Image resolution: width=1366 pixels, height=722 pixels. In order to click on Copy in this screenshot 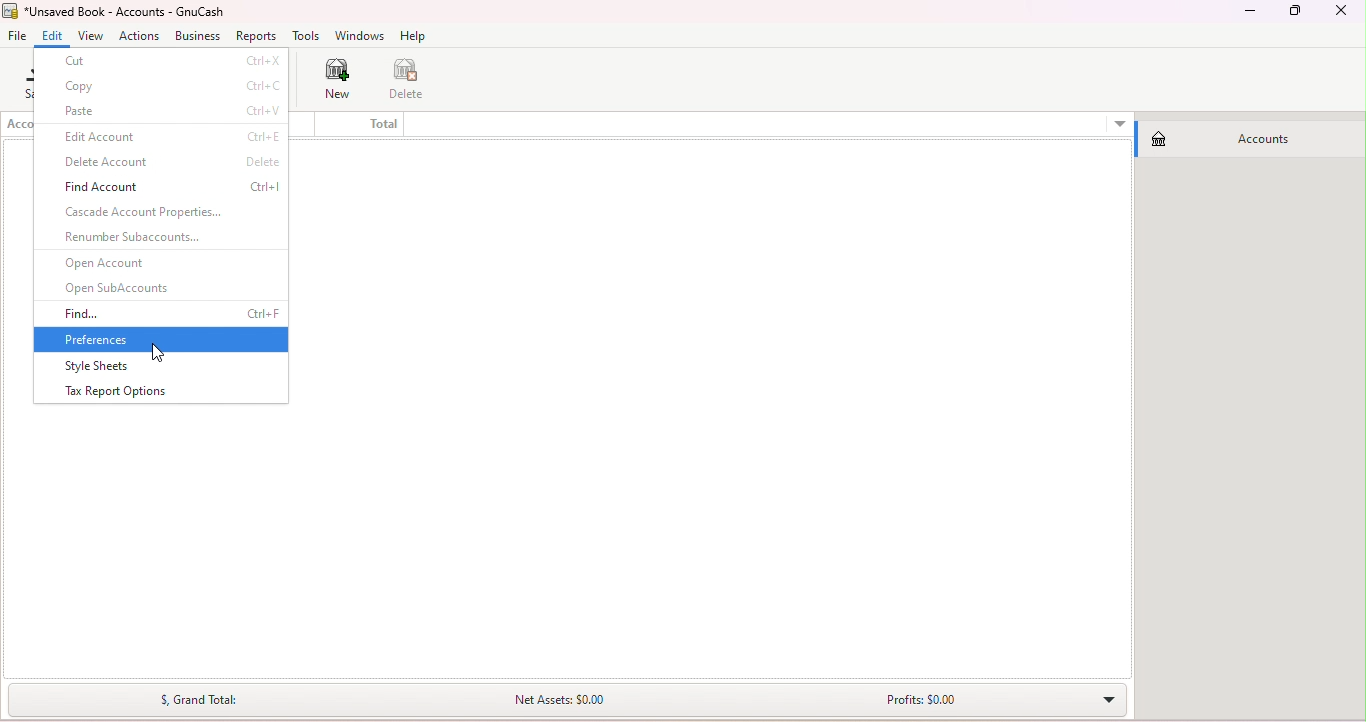, I will do `click(167, 84)`.